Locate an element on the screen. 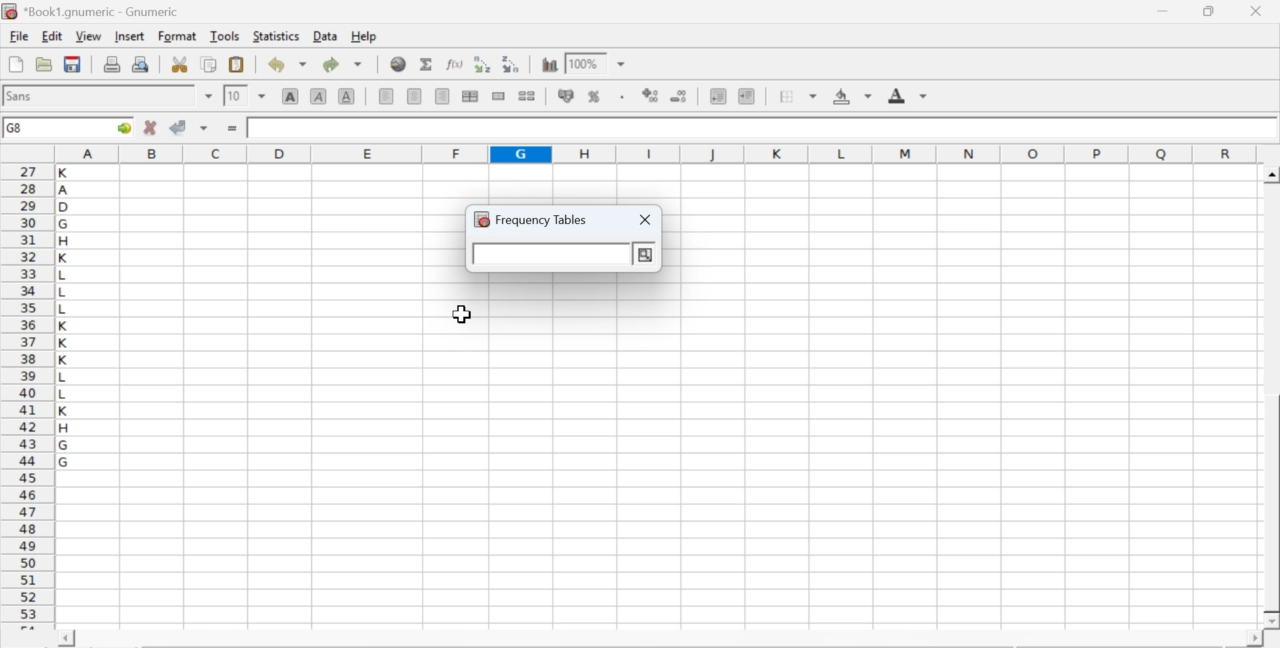 The height and width of the screenshot is (648, 1280). edit is located at coordinates (52, 36).